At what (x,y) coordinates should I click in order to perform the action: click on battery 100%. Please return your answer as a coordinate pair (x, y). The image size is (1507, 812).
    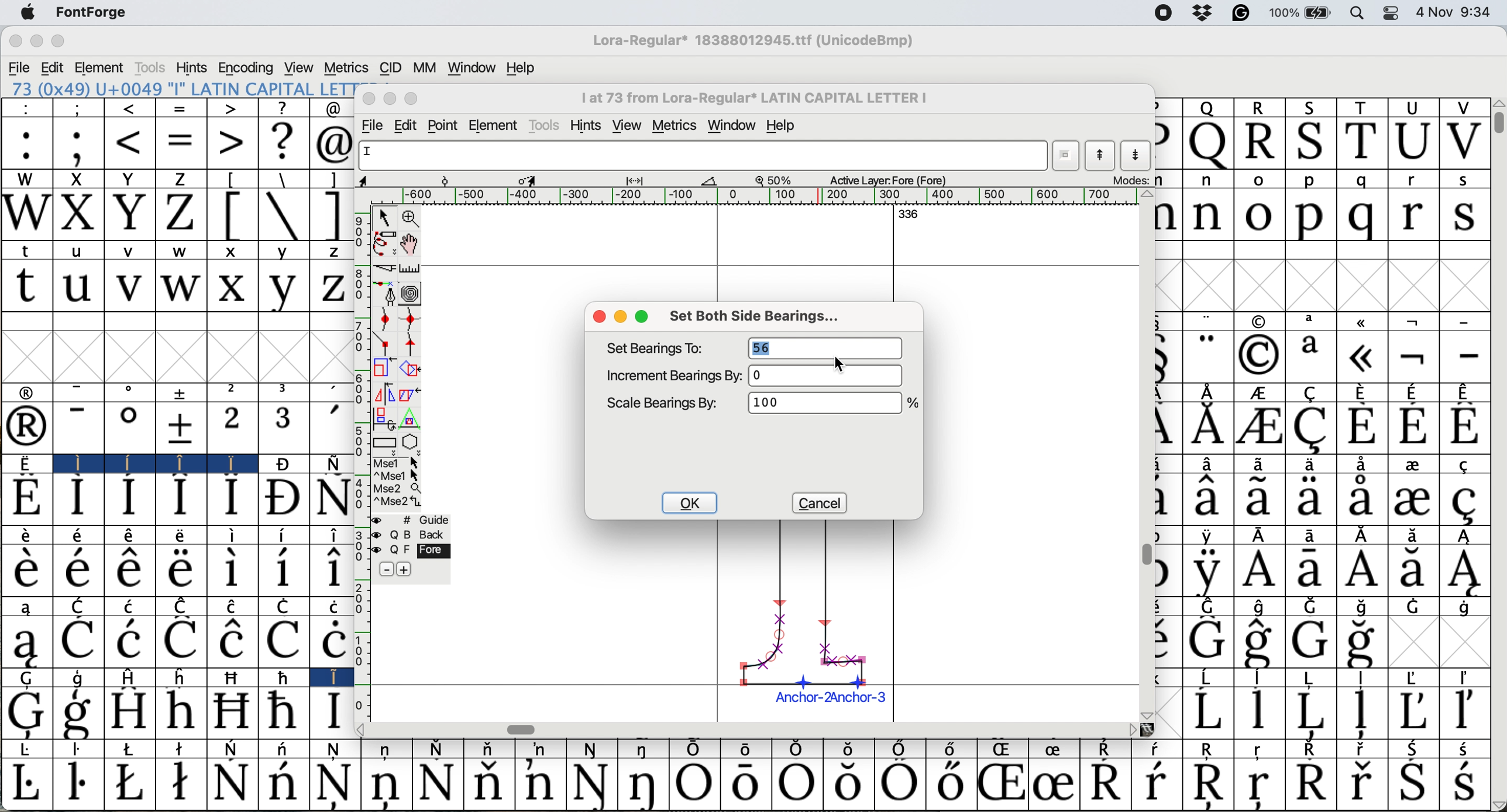
    Looking at the image, I should click on (1303, 12).